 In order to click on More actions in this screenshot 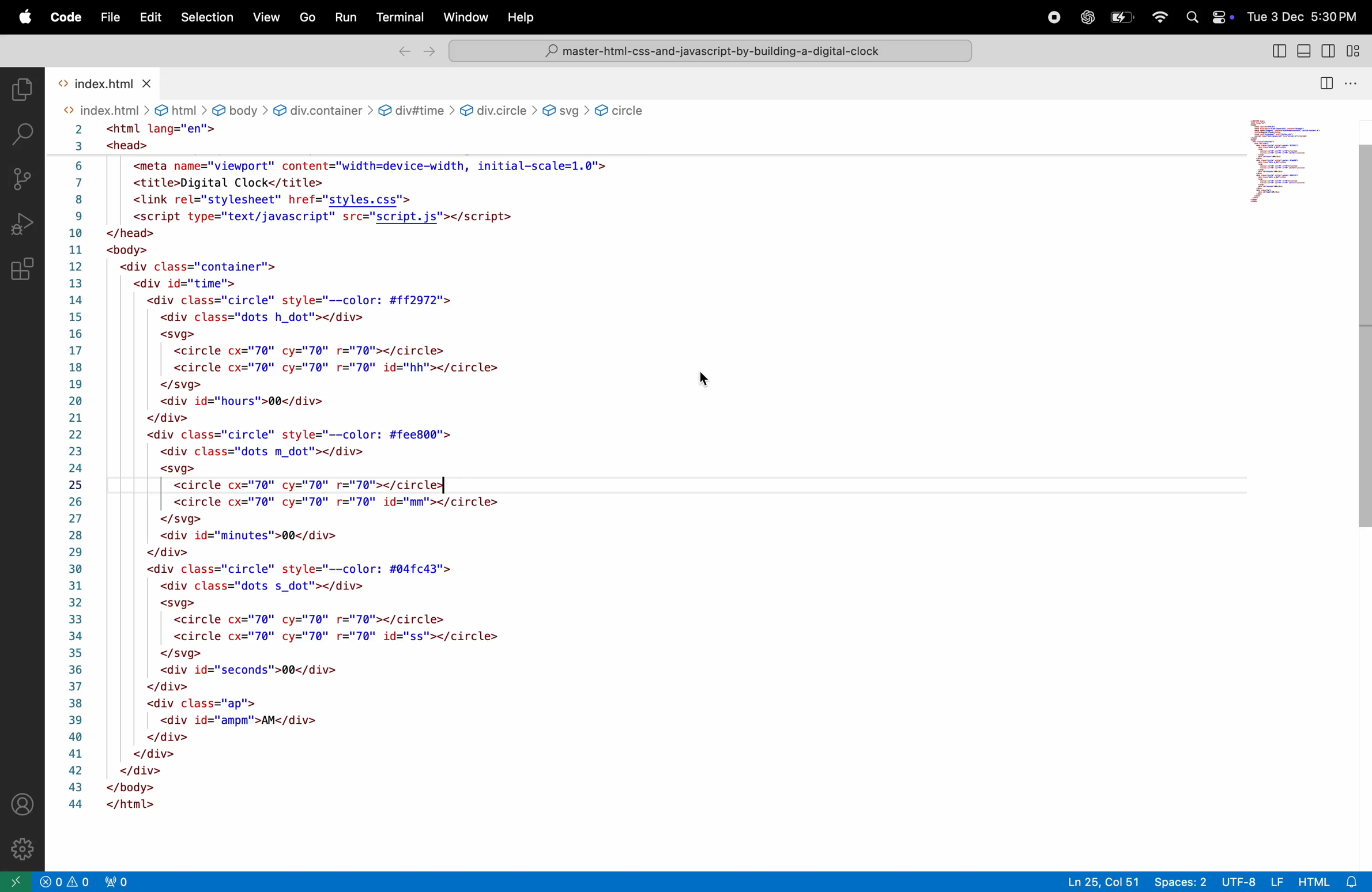, I will do `click(1358, 83)`.